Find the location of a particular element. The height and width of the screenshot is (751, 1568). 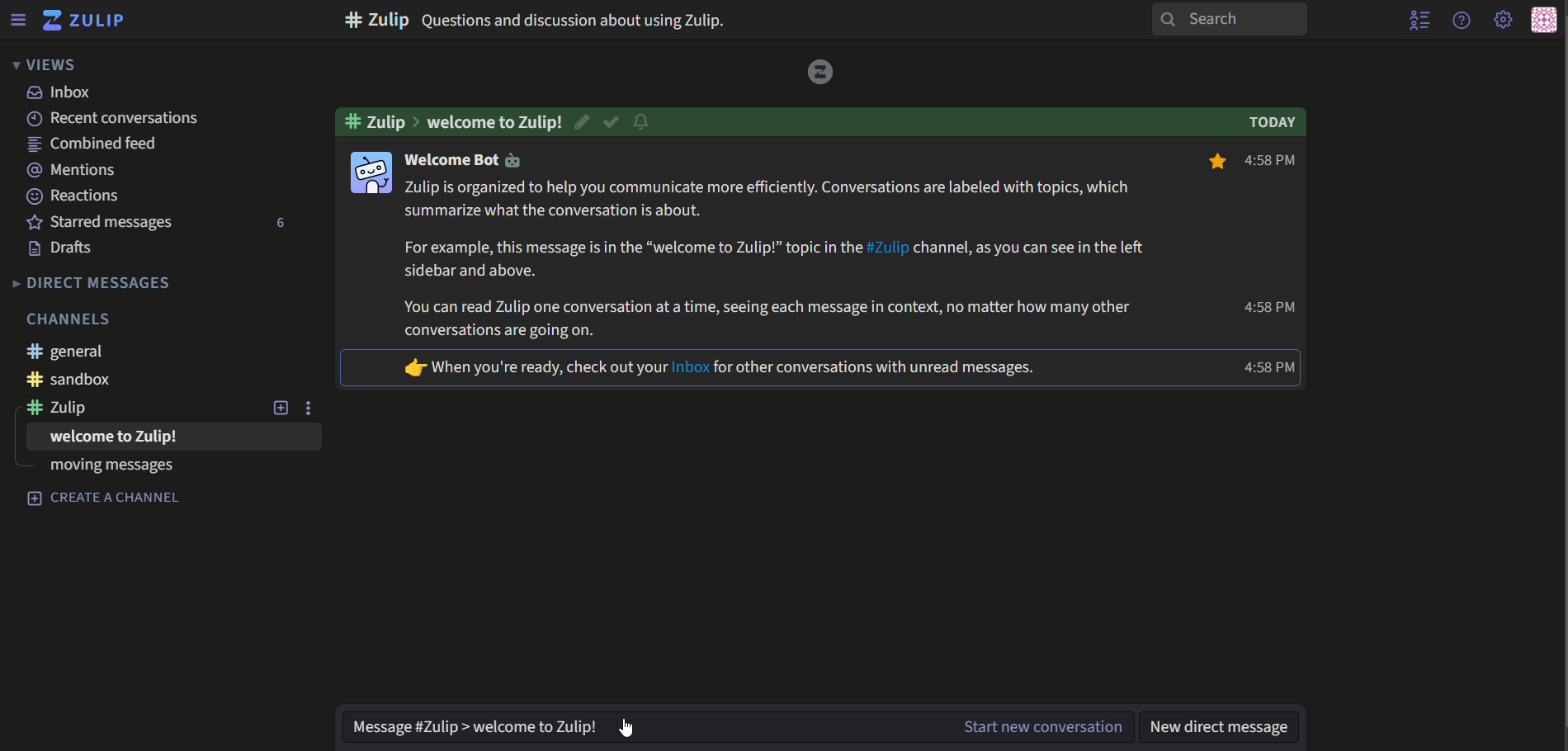

text is located at coordinates (1222, 725).